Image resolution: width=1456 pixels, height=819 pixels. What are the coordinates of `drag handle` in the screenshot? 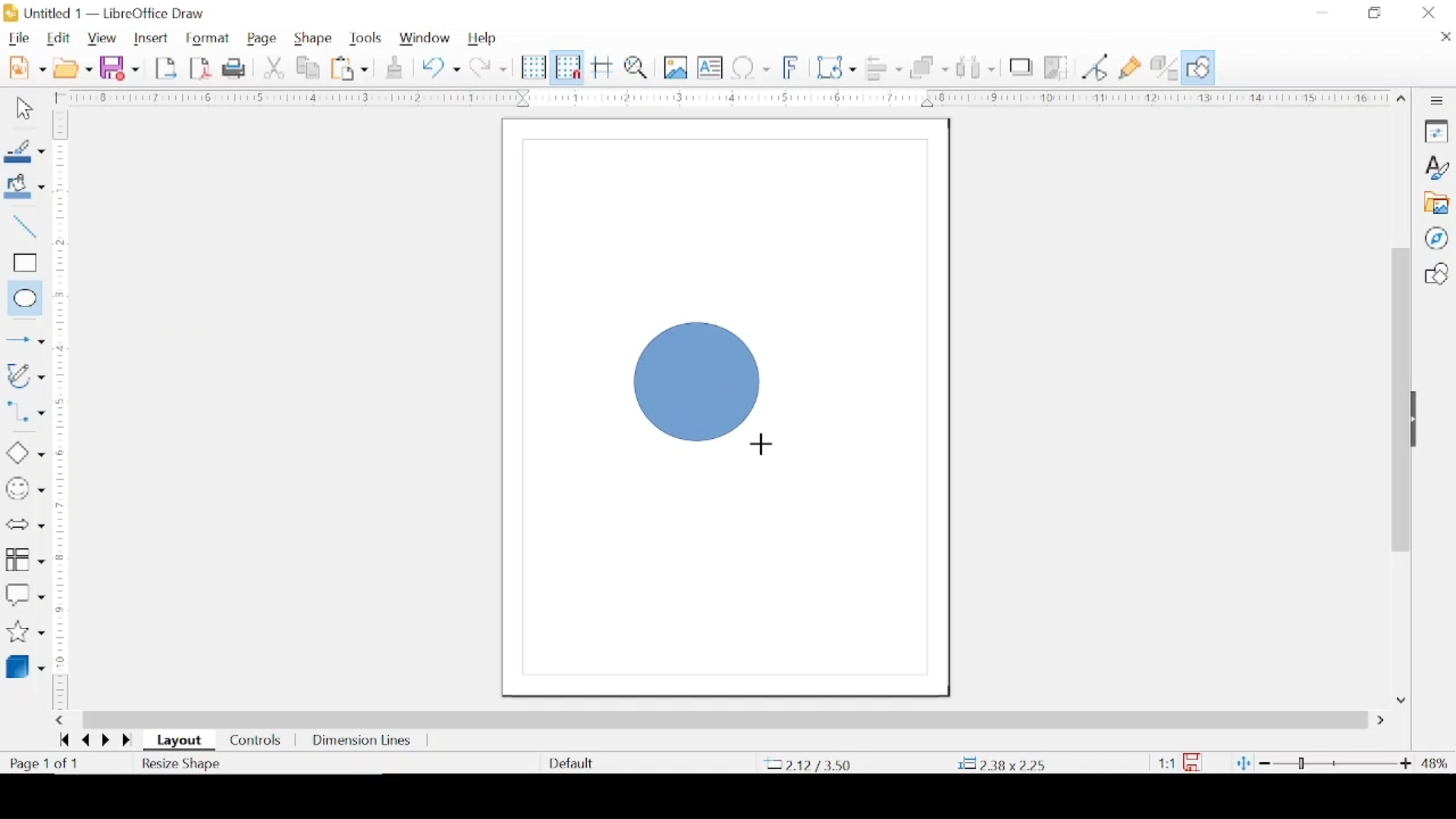 It's located at (1421, 420).